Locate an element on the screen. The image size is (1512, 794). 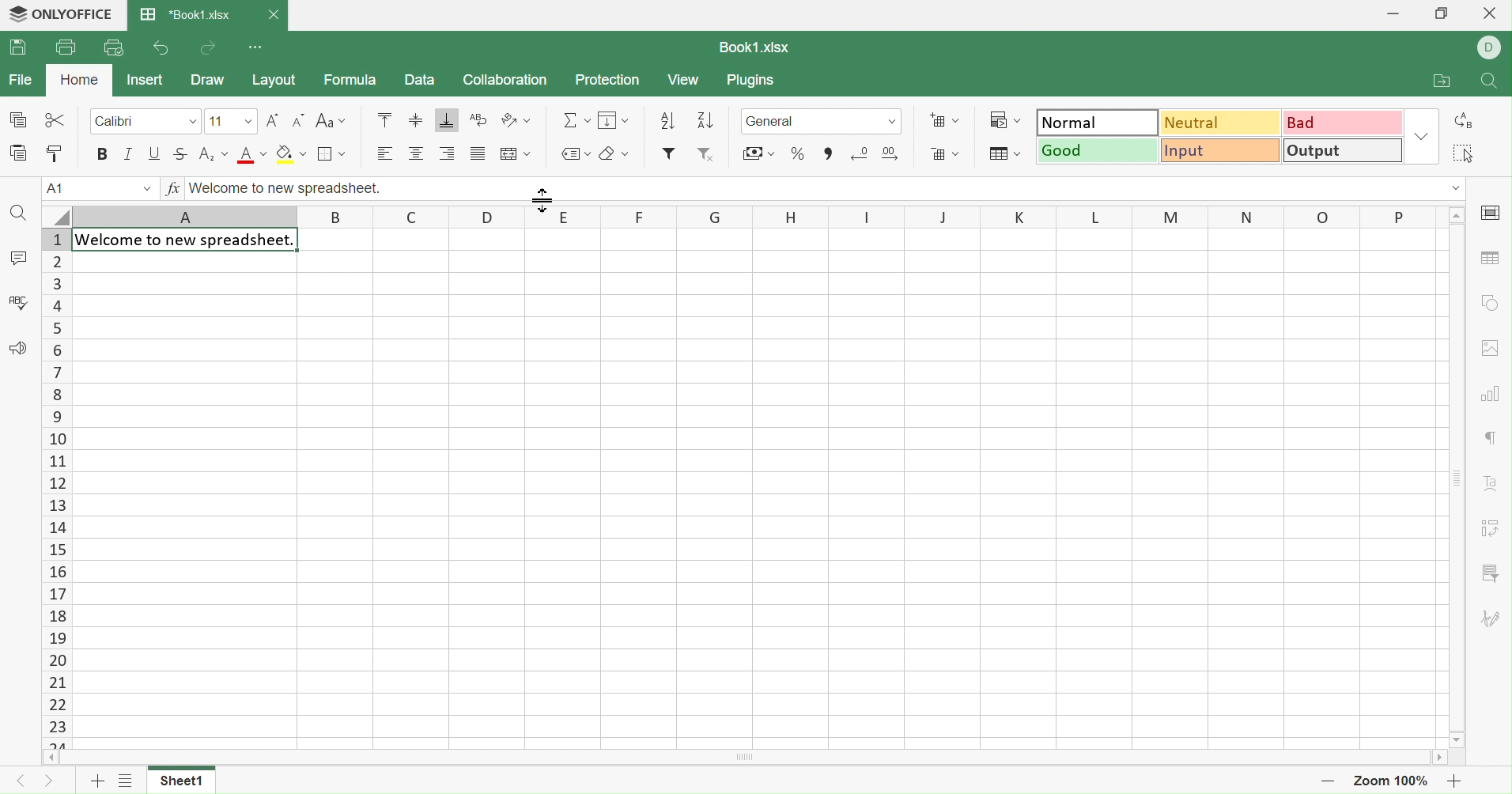
image settings is located at coordinates (1494, 348).